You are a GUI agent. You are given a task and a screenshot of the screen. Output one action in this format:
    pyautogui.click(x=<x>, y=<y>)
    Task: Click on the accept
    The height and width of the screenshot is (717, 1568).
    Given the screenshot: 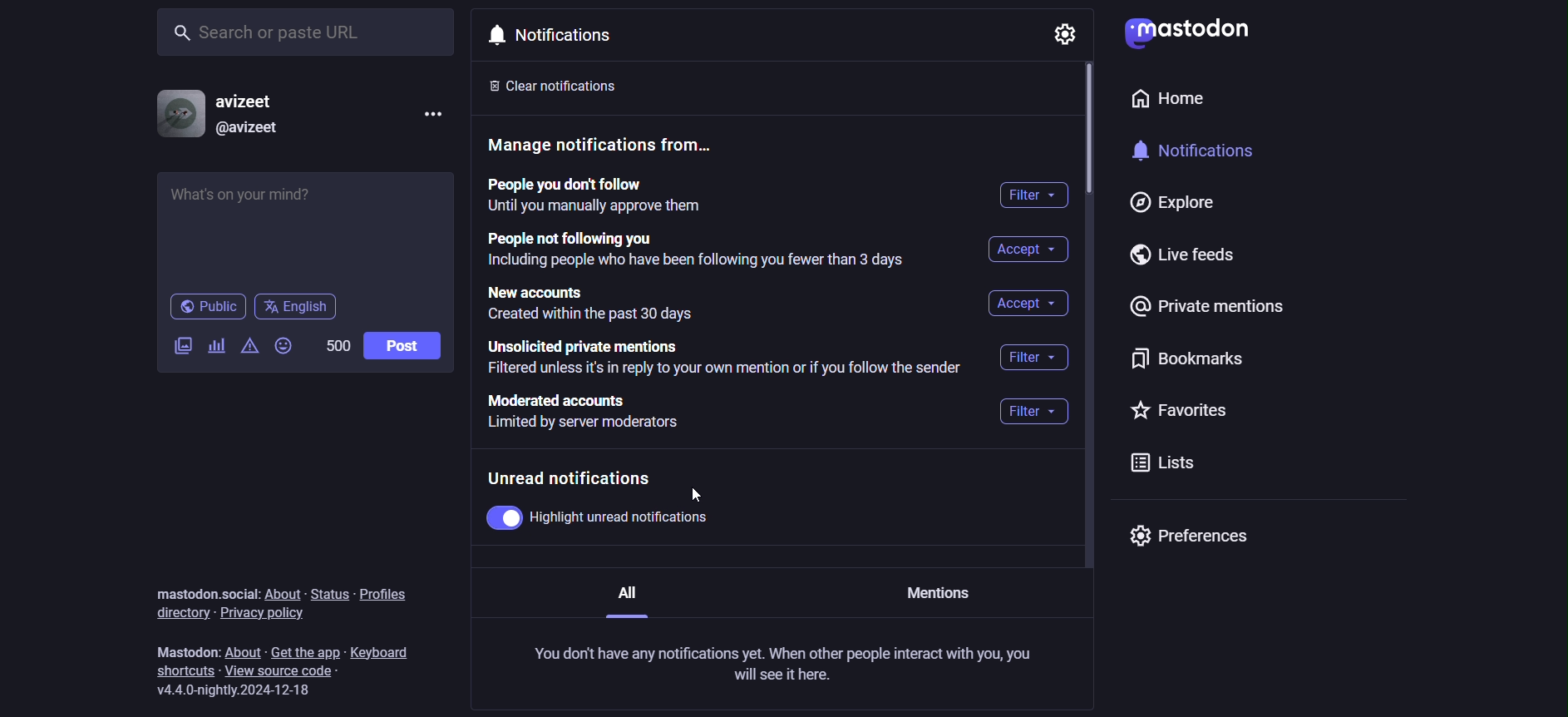 What is the action you would take?
    pyautogui.click(x=1028, y=250)
    